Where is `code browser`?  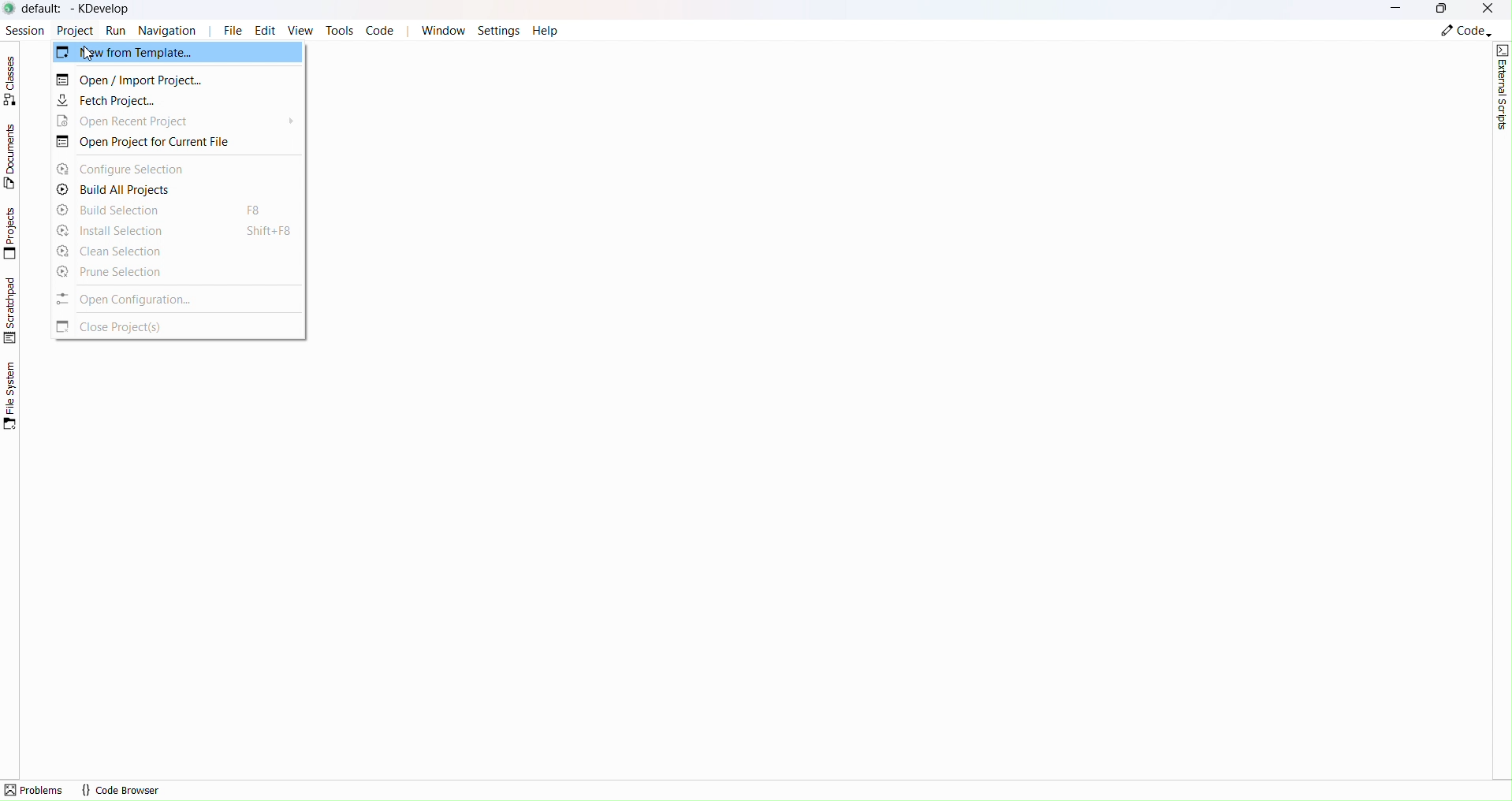 code browser is located at coordinates (121, 790).